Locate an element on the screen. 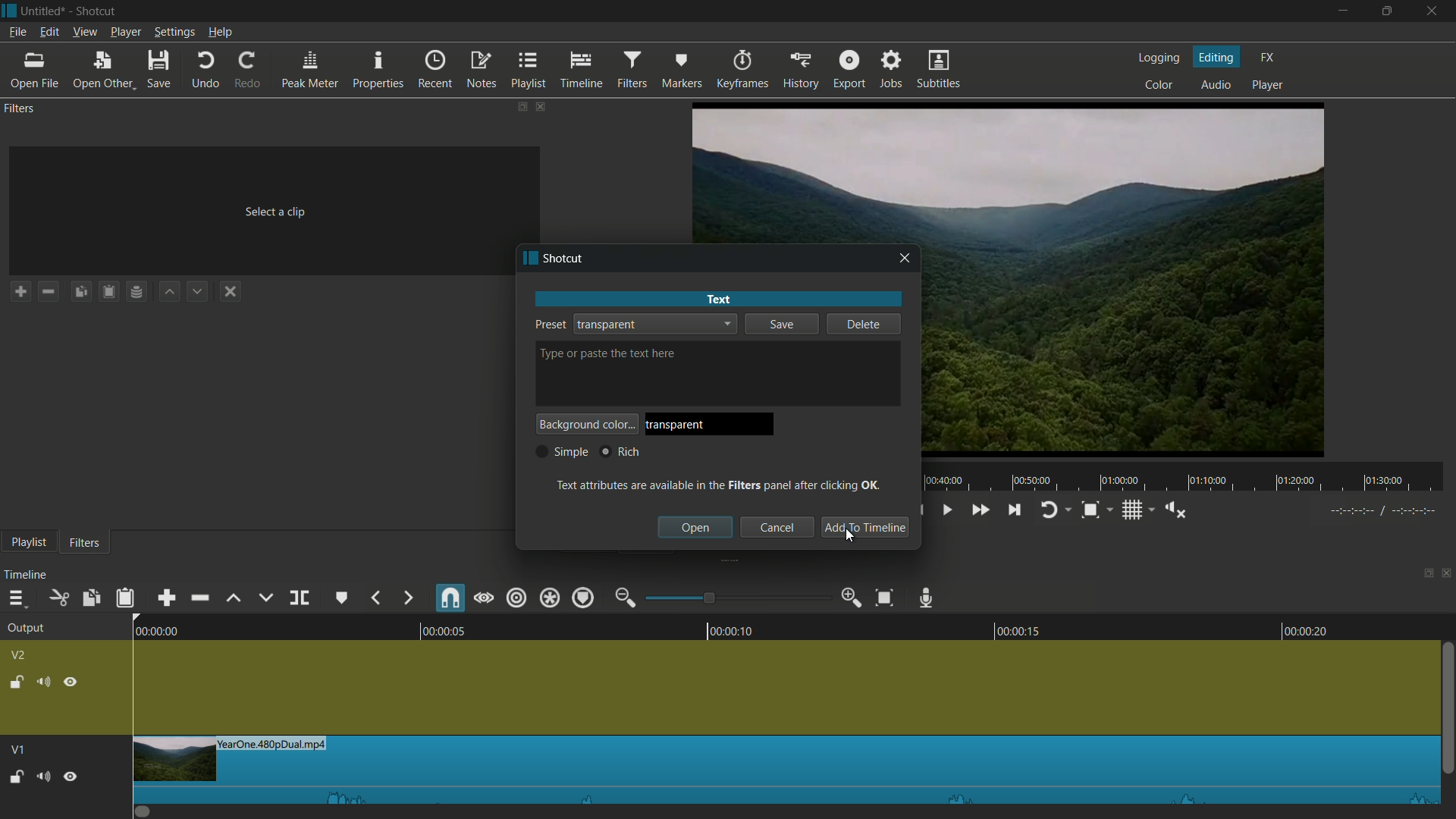 This screenshot has width=1456, height=819. filters is located at coordinates (631, 71).